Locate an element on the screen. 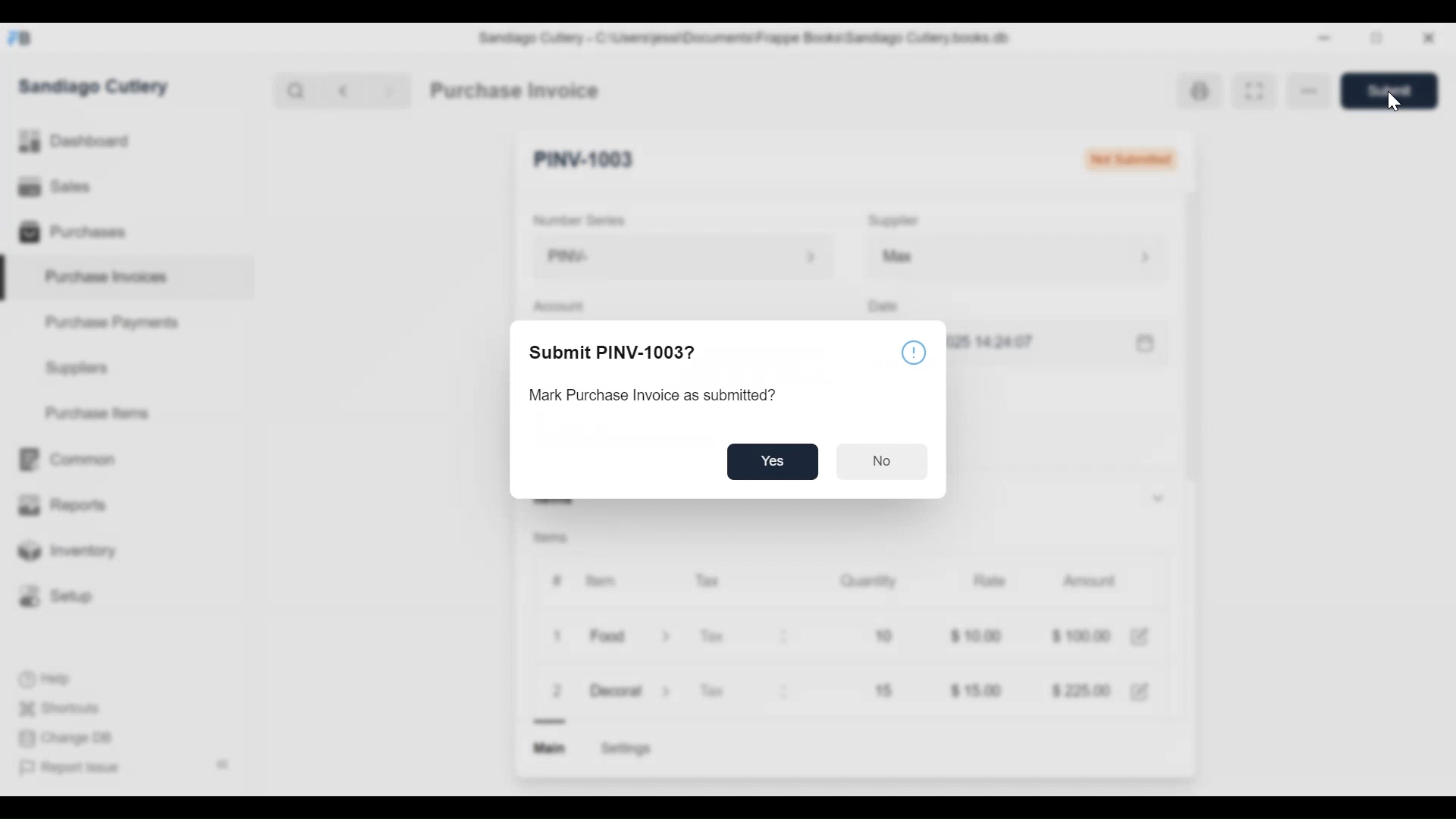  No is located at coordinates (880, 463).